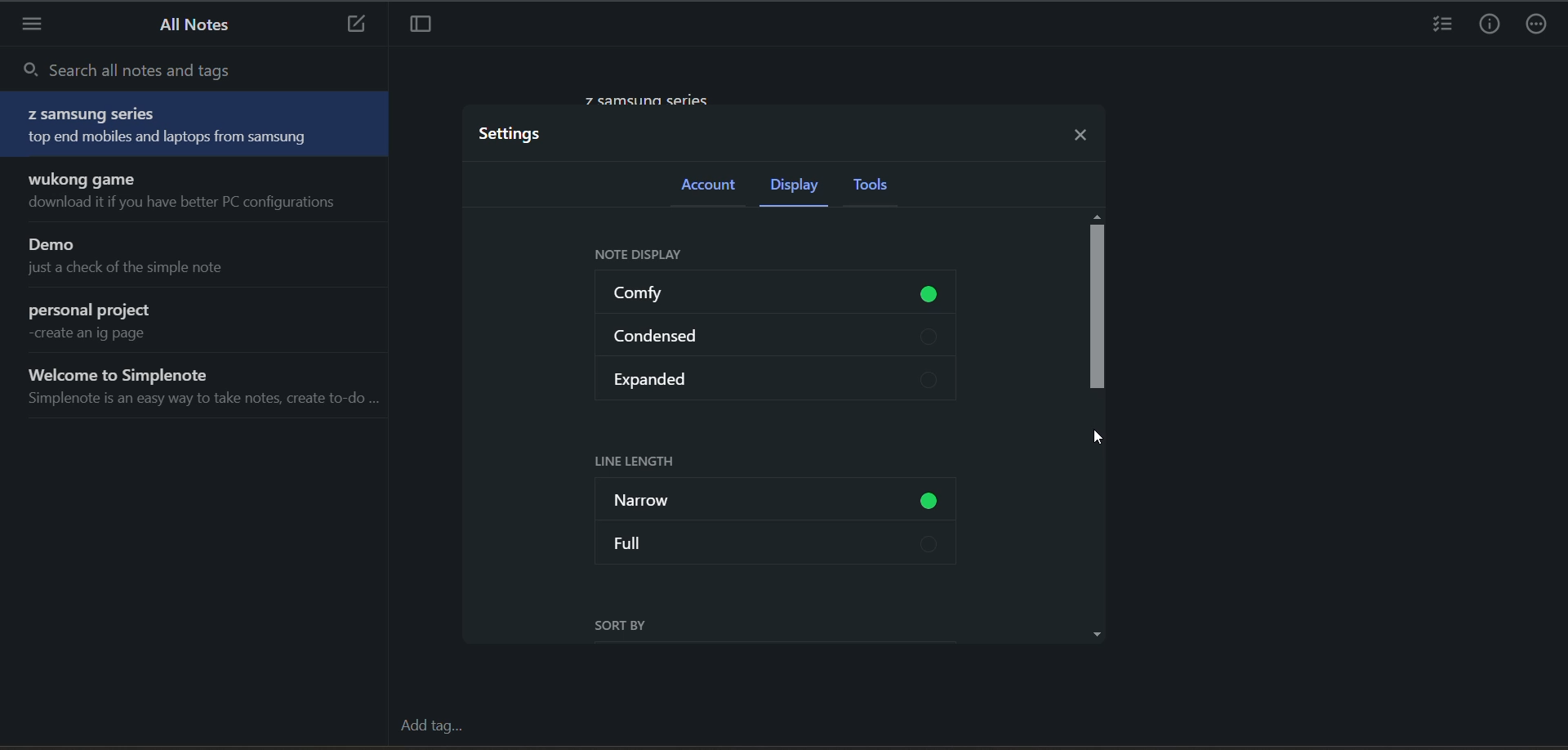 This screenshot has height=750, width=1568. What do you see at coordinates (417, 26) in the screenshot?
I see `toggle focus mode` at bounding box center [417, 26].